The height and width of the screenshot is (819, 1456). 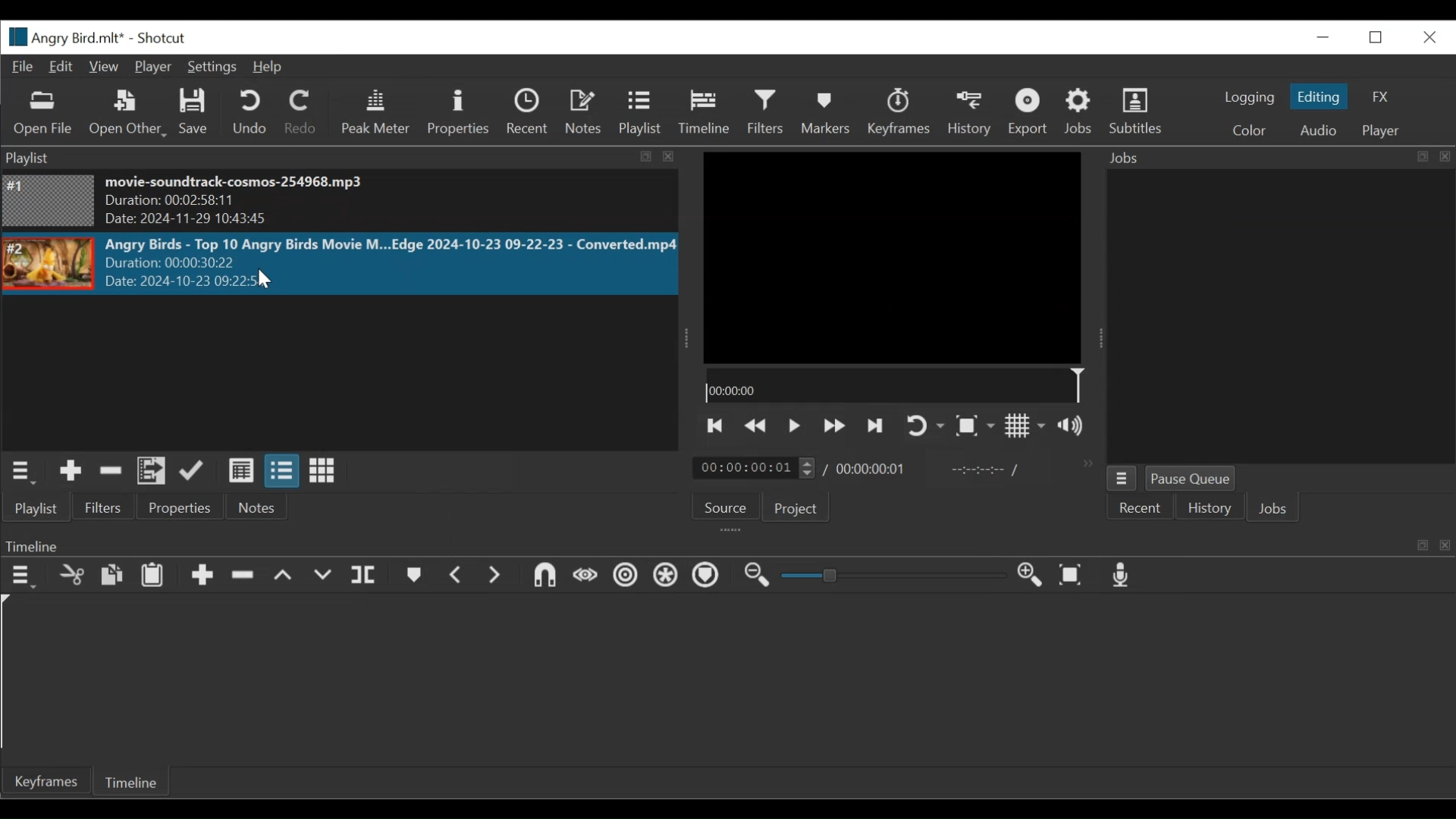 I want to click on Pause Queue, so click(x=1195, y=479).